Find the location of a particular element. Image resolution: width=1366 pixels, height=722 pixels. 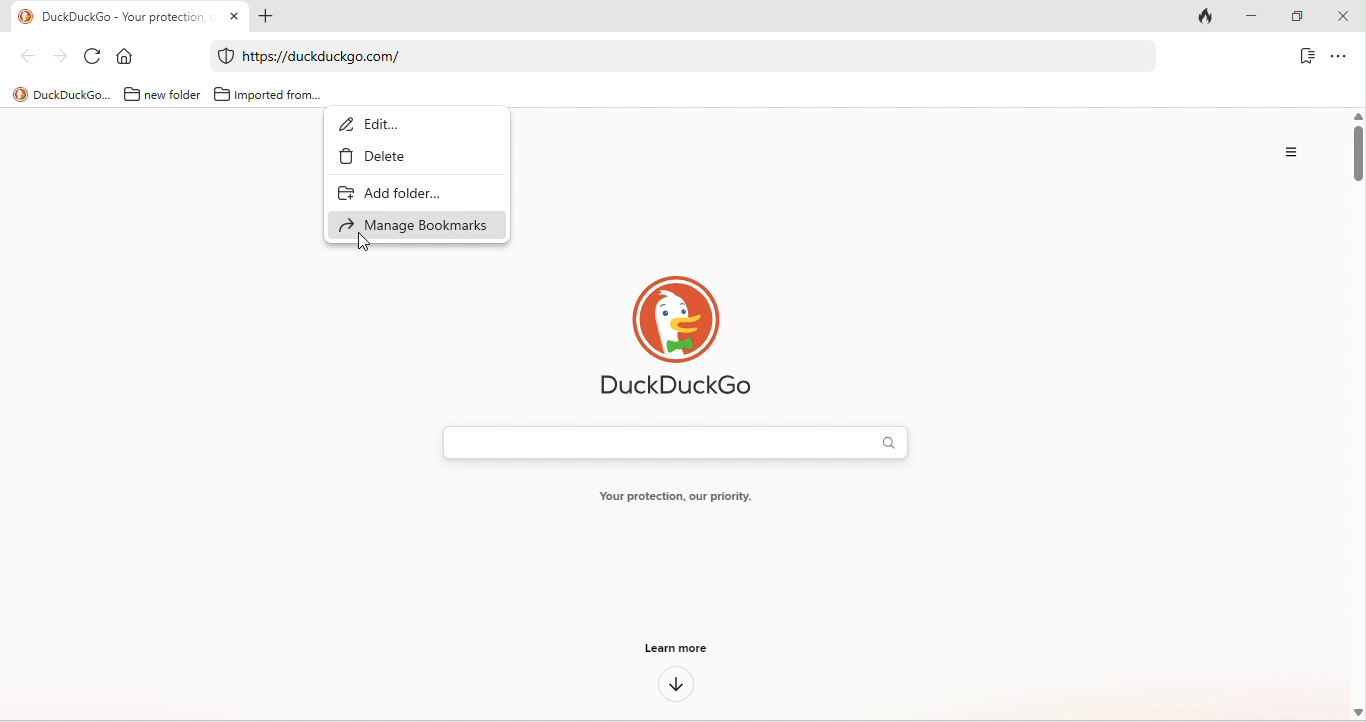

search bar is located at coordinates (670, 442).